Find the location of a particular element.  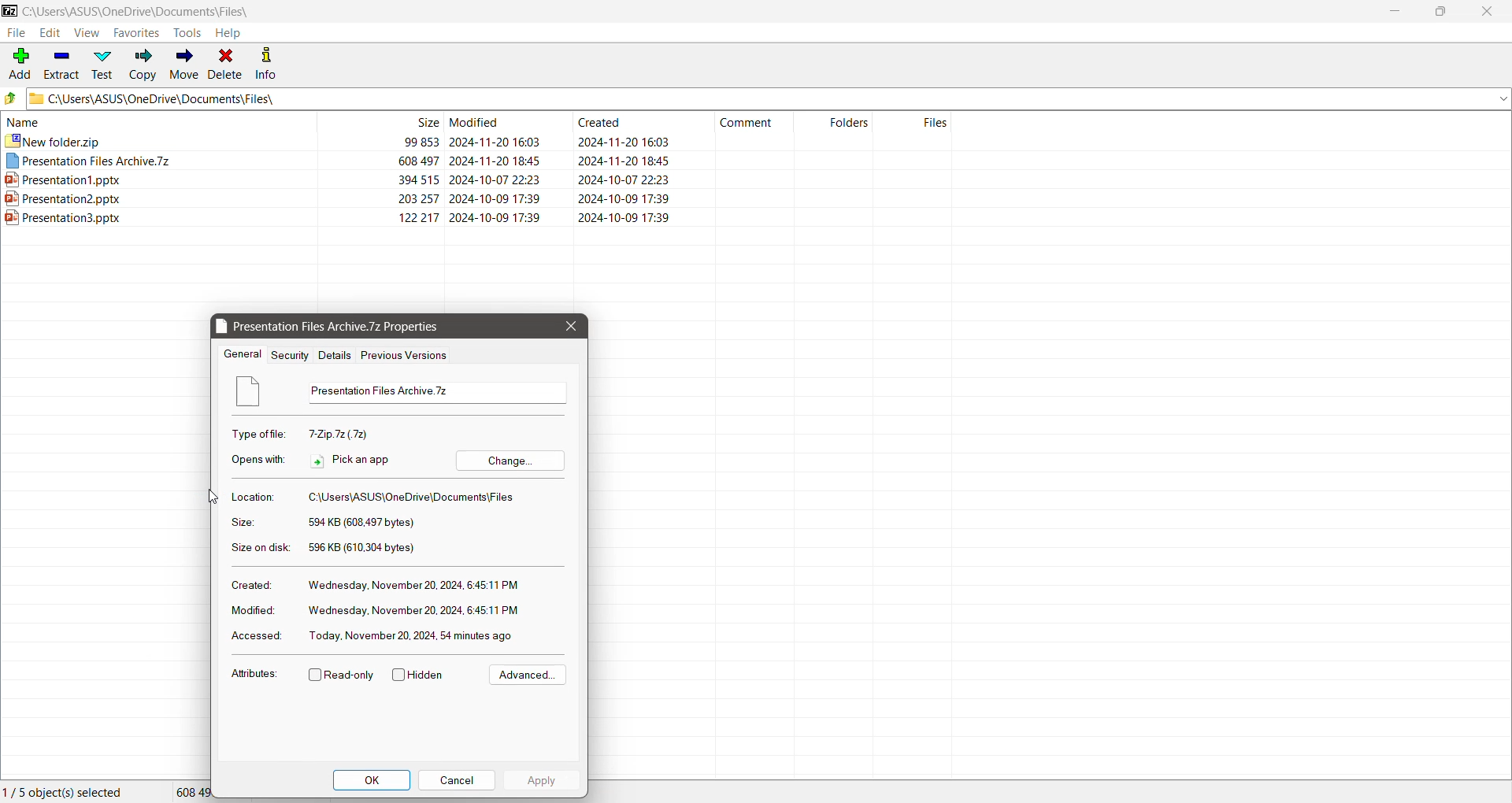

Archive File Creation Date details is located at coordinates (416, 583).